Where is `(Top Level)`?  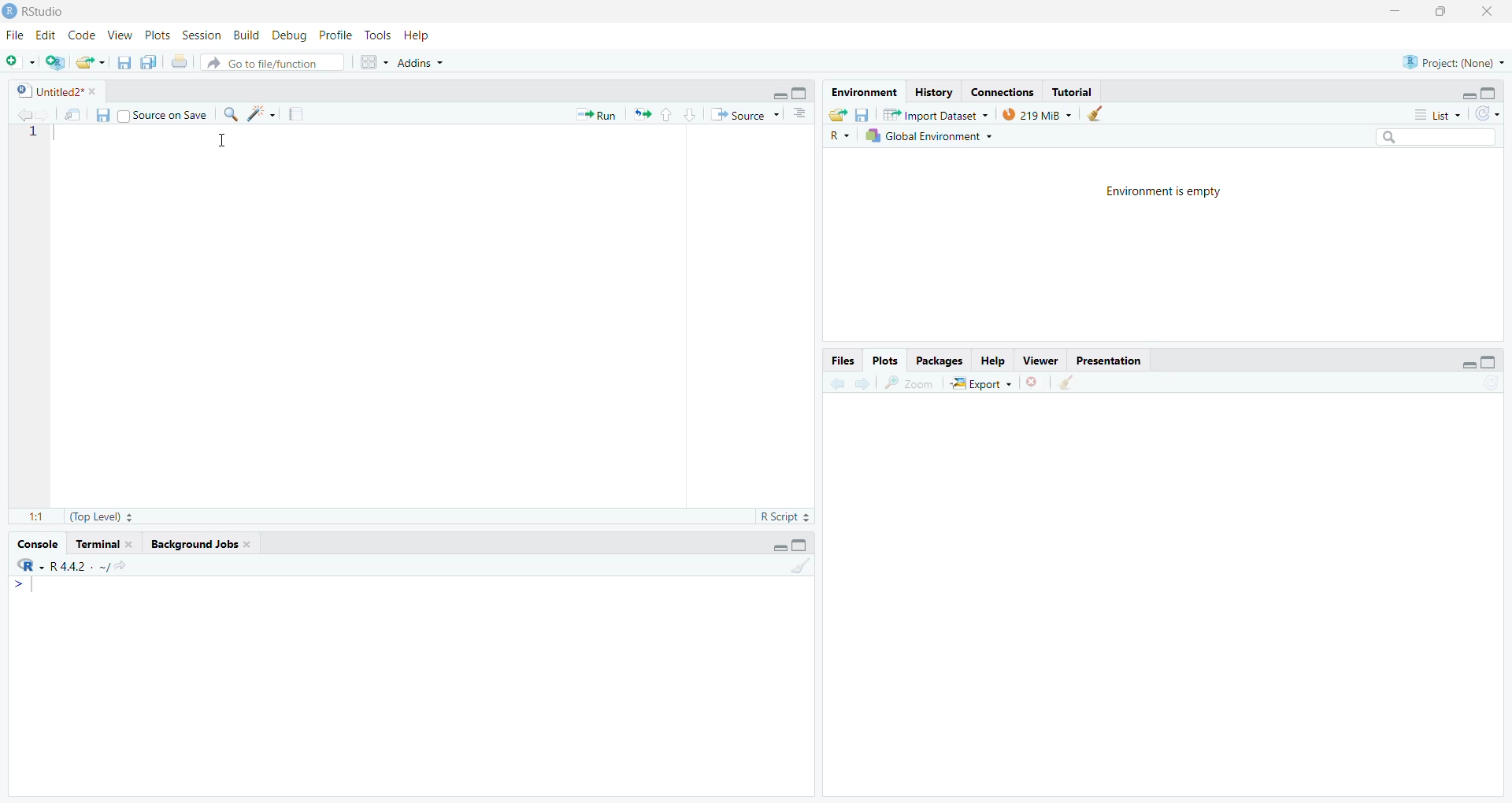 (Top Level) is located at coordinates (101, 517).